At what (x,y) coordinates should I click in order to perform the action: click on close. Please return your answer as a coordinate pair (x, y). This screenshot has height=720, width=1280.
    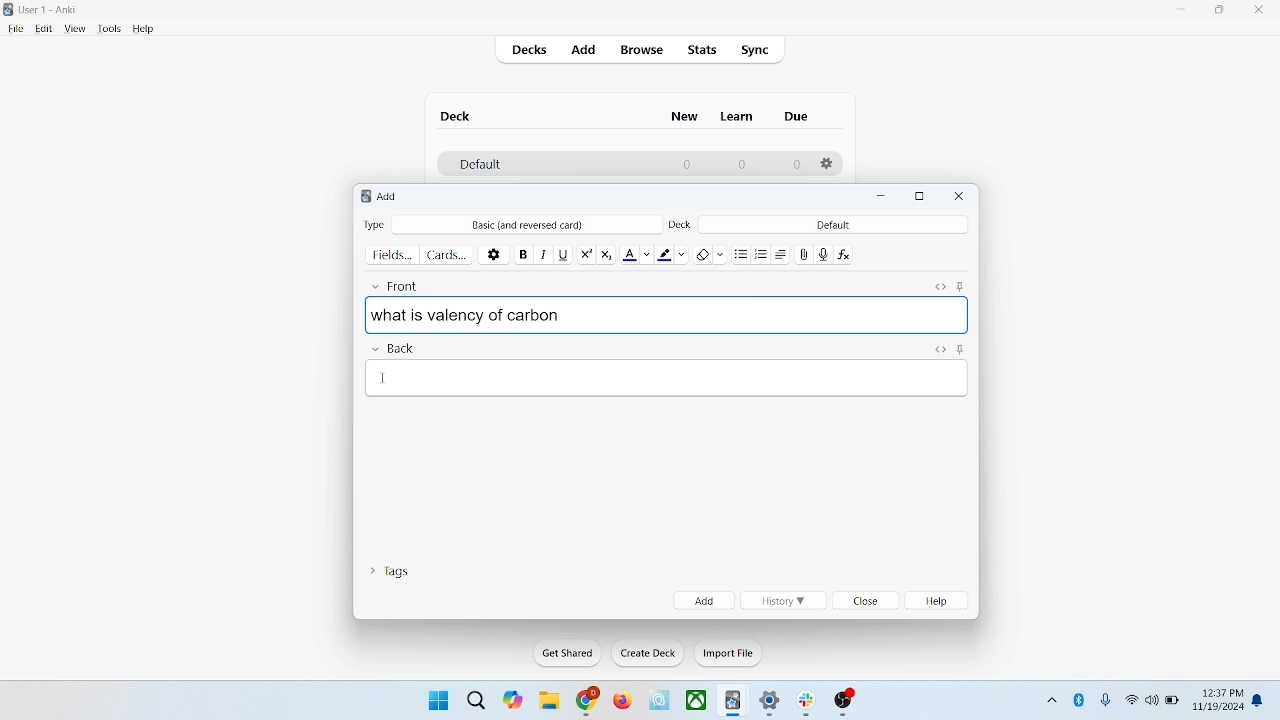
    Looking at the image, I should click on (1263, 12).